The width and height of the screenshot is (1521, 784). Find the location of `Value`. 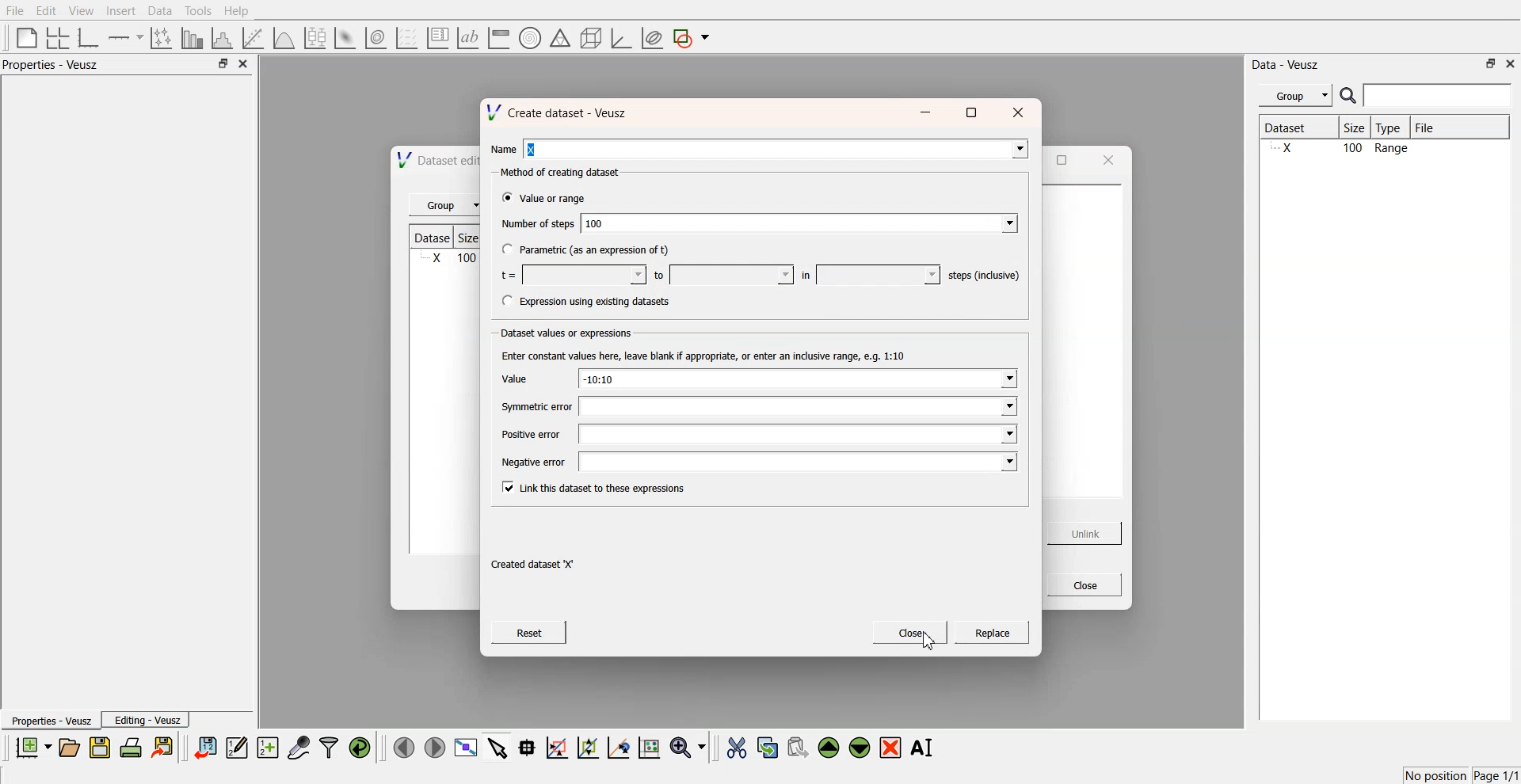

Value is located at coordinates (522, 378).